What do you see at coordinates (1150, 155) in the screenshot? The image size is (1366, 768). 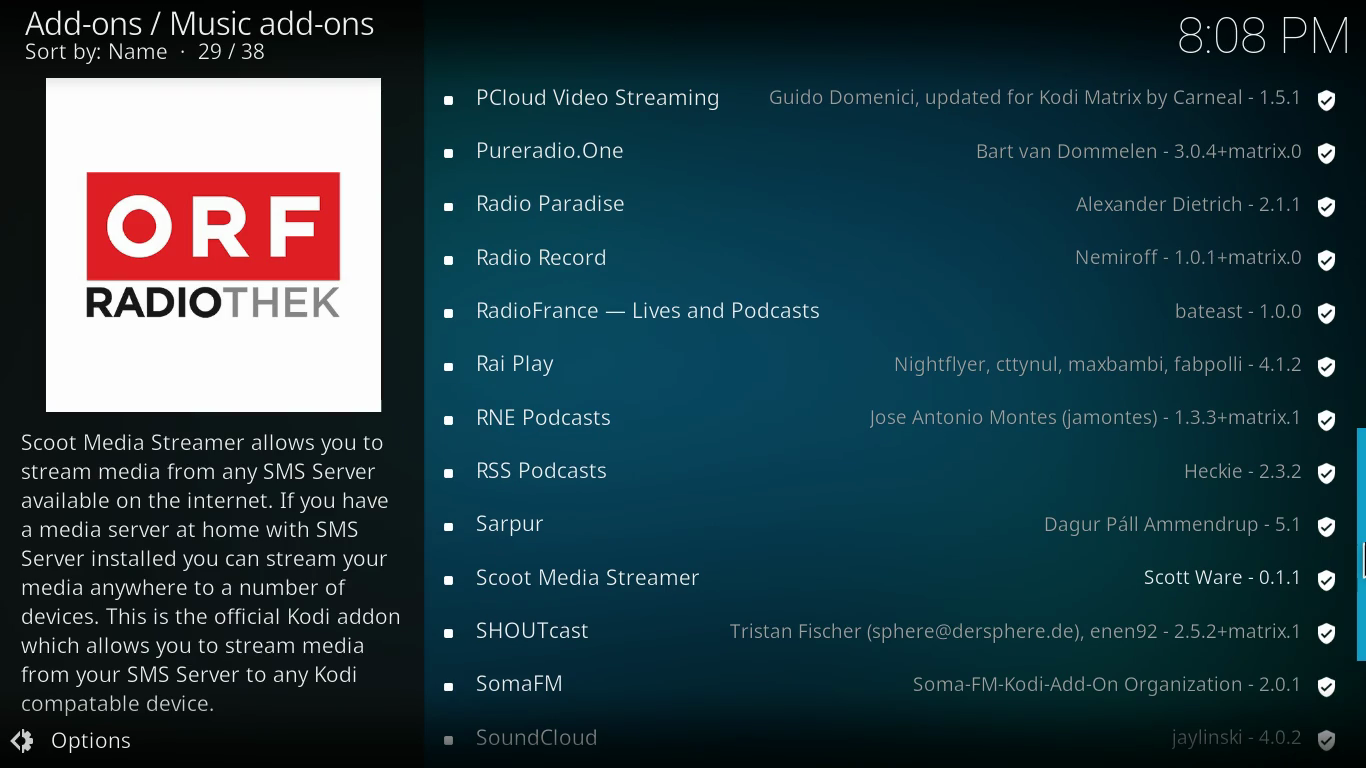 I see `provider` at bounding box center [1150, 155].